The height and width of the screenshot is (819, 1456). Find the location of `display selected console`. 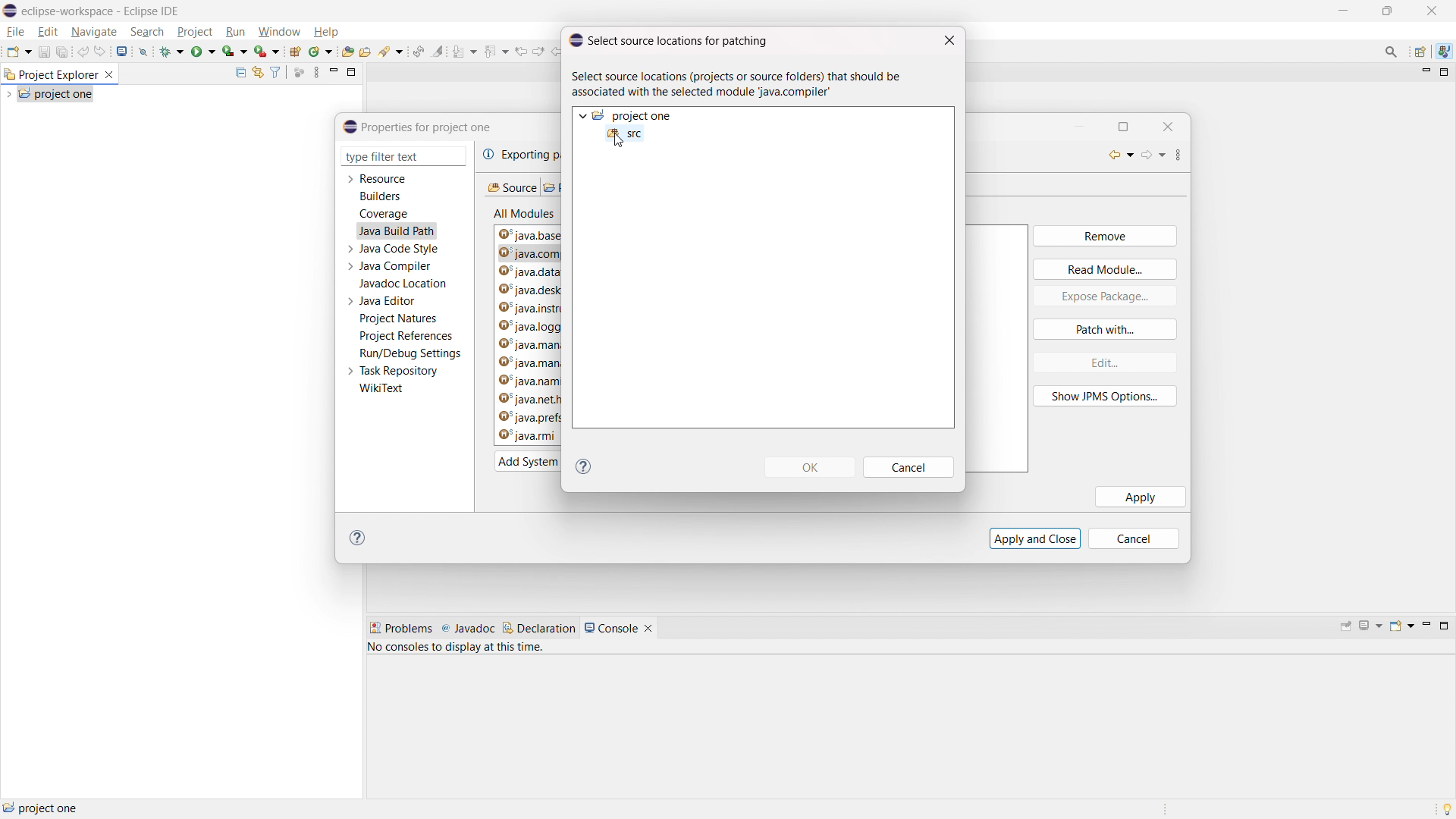

display selected console is located at coordinates (1372, 626).